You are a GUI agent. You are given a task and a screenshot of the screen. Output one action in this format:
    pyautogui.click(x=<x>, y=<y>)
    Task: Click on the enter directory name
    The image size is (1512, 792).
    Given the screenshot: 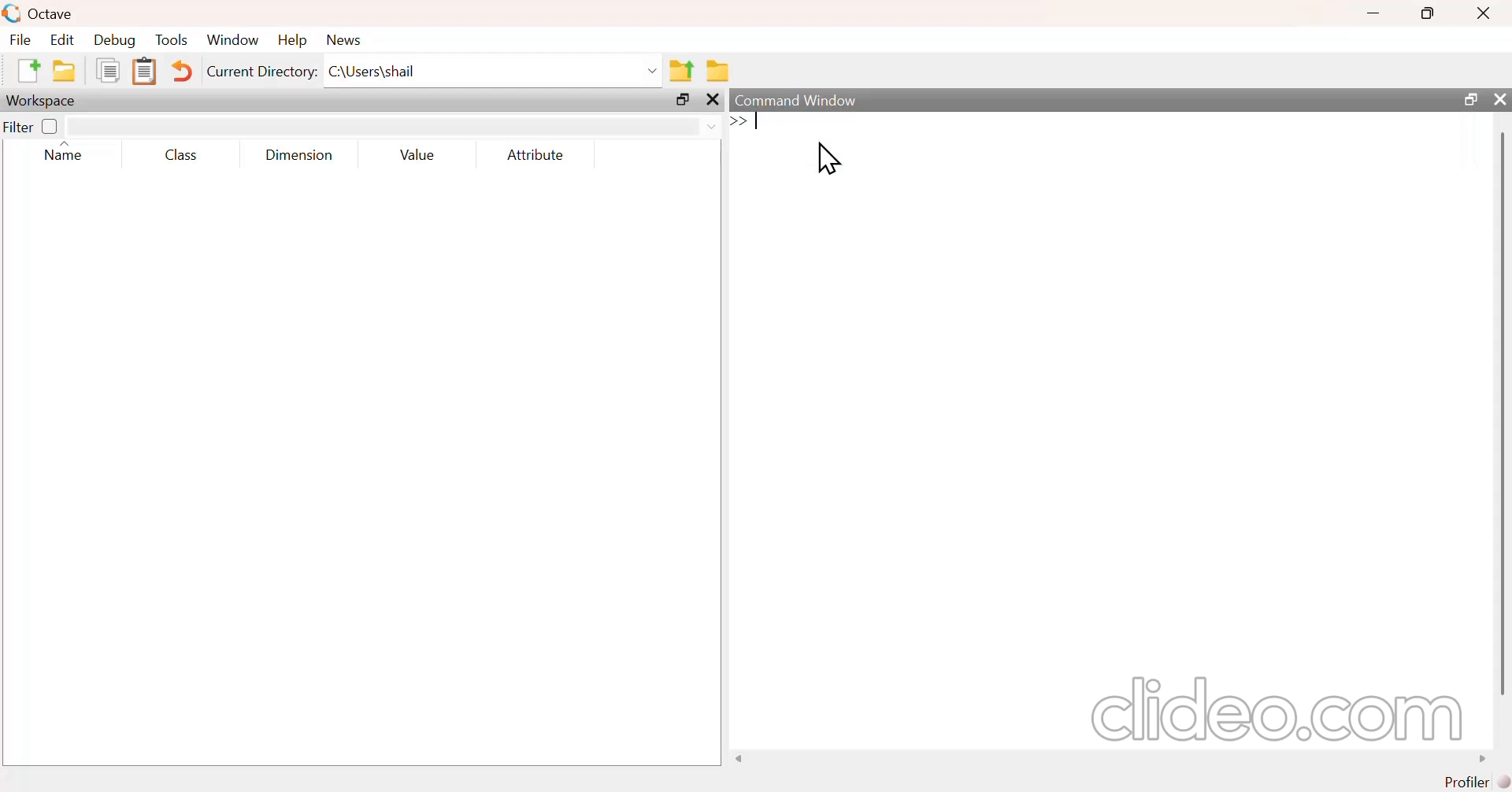 What is the action you would take?
    pyautogui.click(x=491, y=72)
    